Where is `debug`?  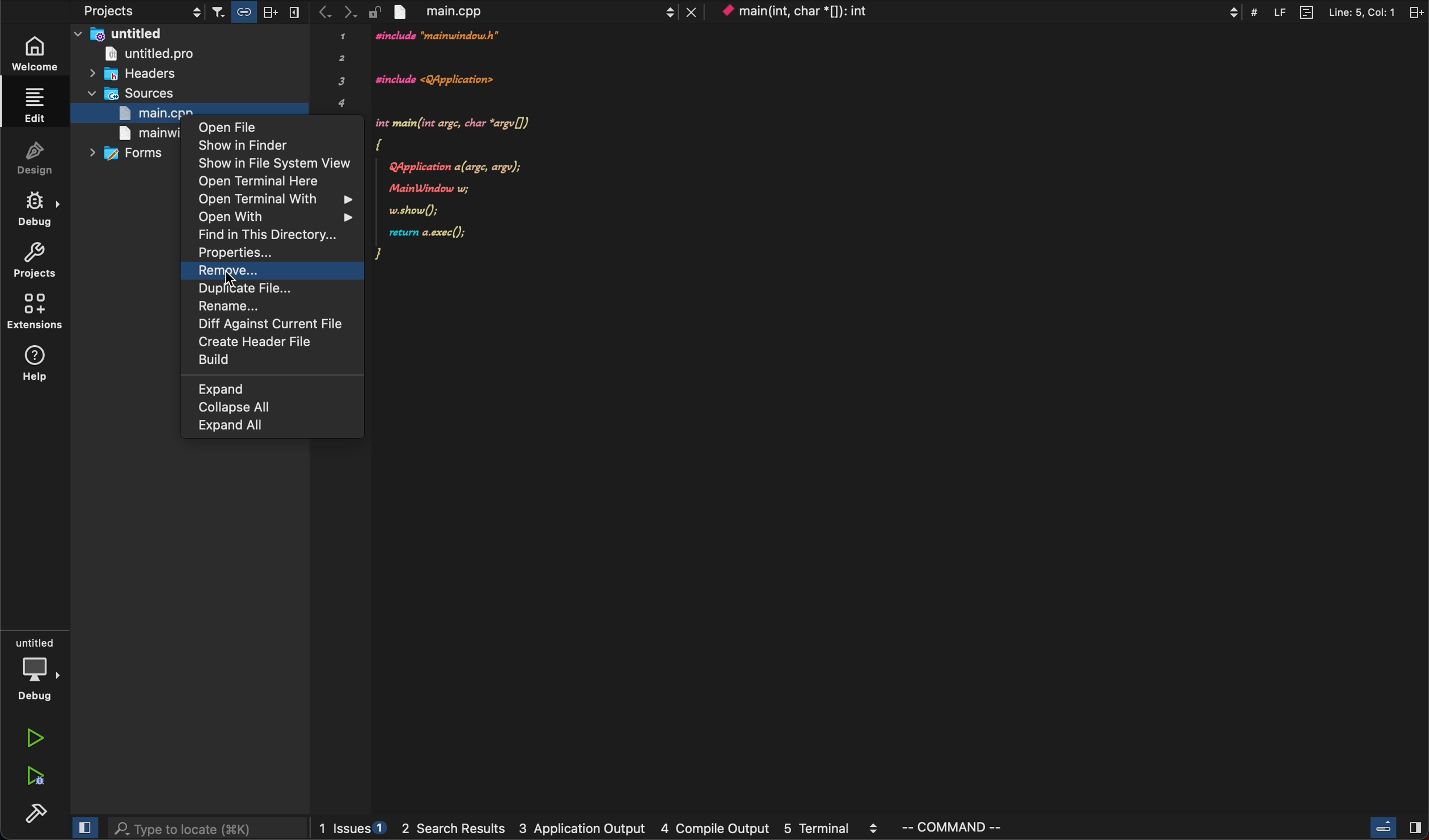
debug is located at coordinates (34, 668).